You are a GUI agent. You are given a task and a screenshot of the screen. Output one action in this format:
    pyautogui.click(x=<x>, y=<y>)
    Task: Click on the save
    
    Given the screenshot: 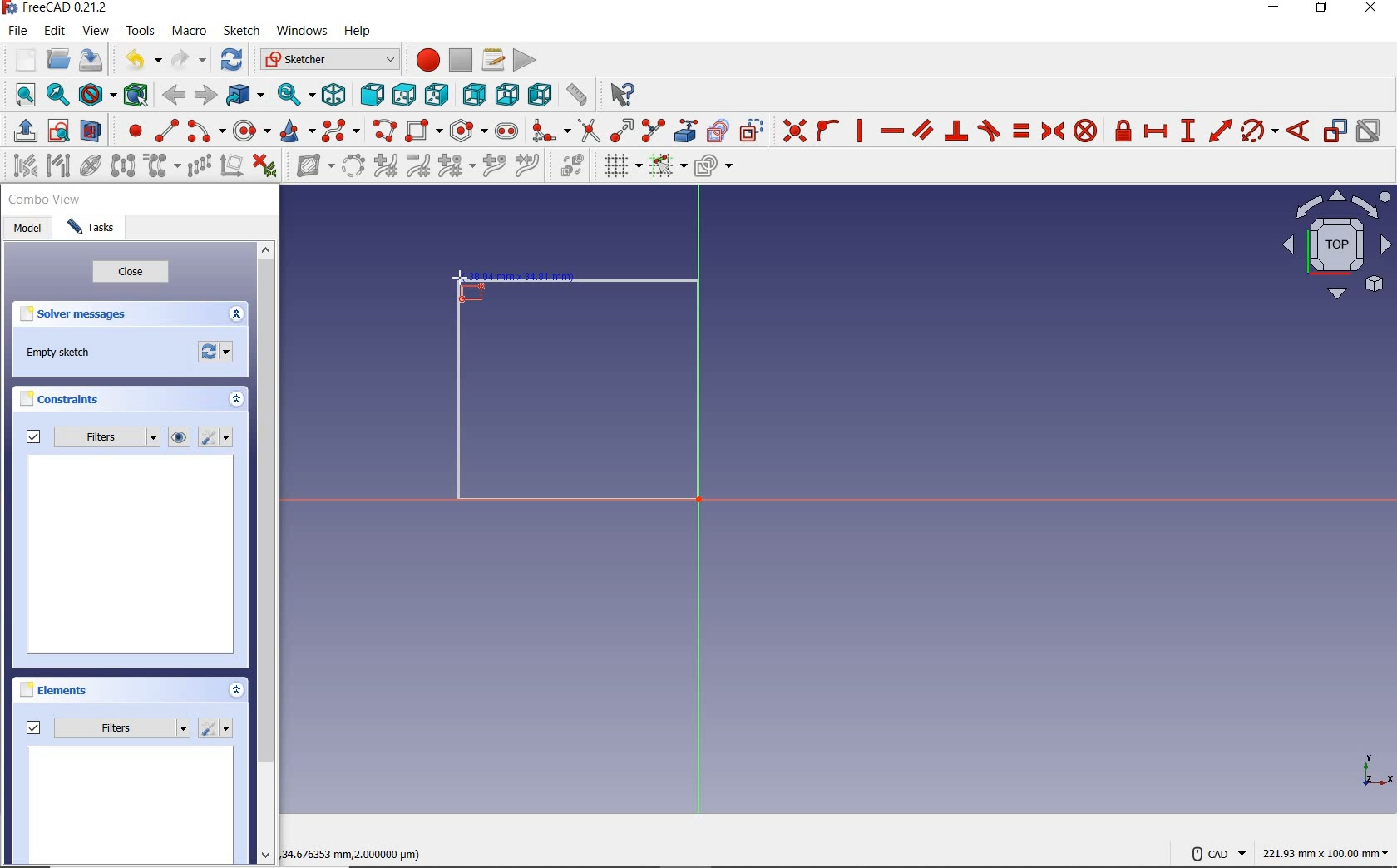 What is the action you would take?
    pyautogui.click(x=91, y=59)
    